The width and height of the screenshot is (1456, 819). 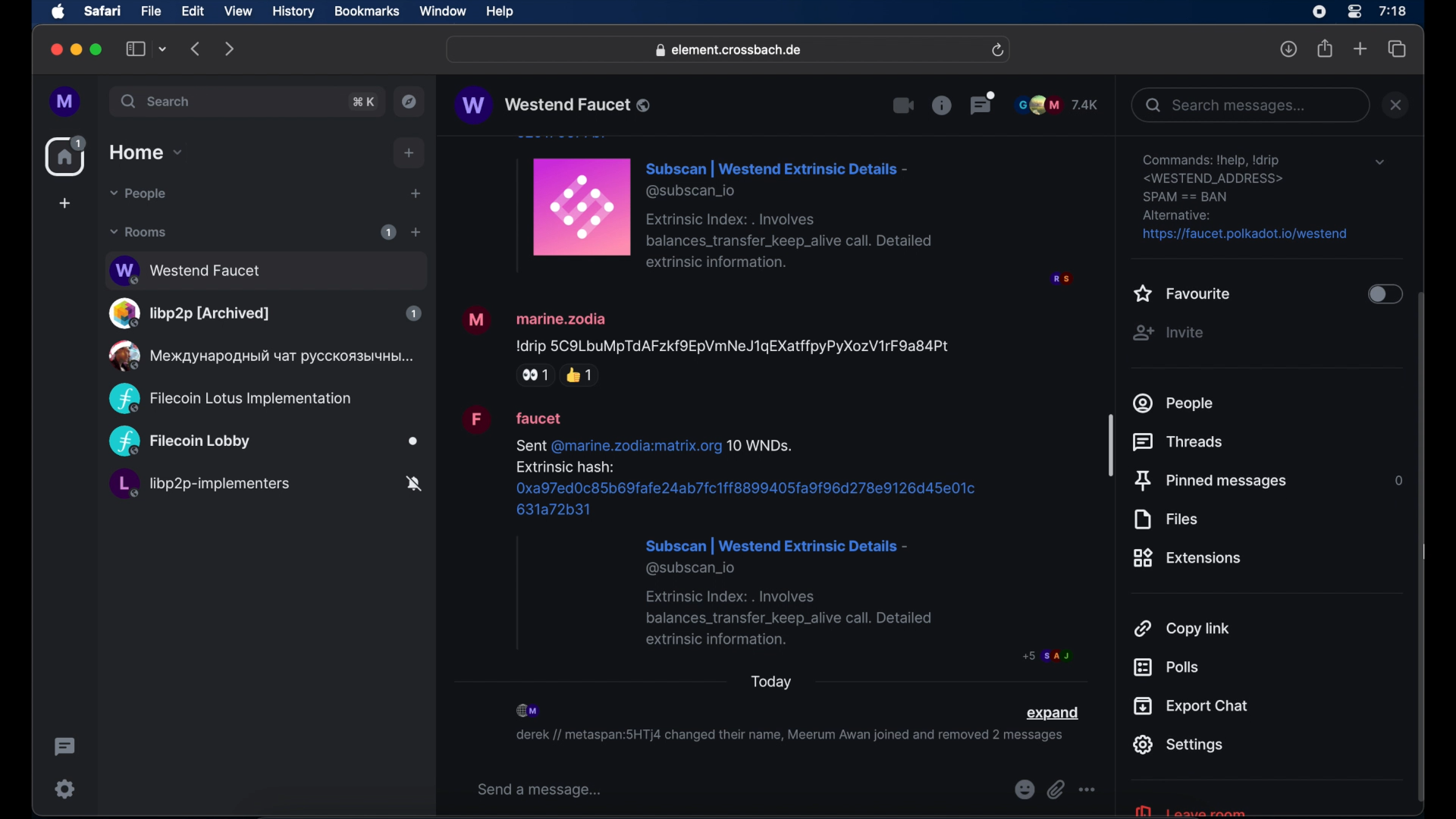 What do you see at coordinates (416, 232) in the screenshot?
I see `add room` at bounding box center [416, 232].